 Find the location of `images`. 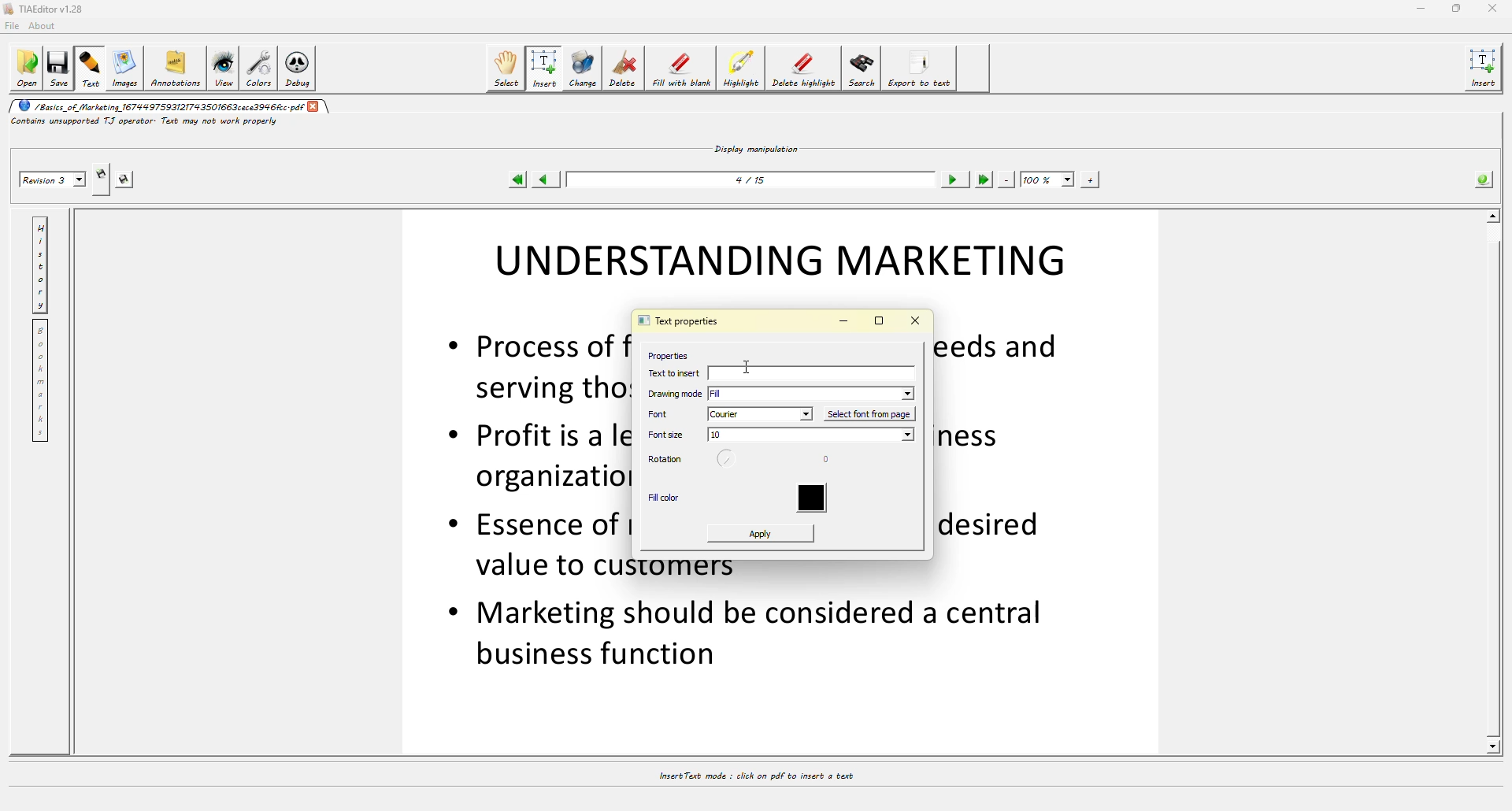

images is located at coordinates (123, 68).